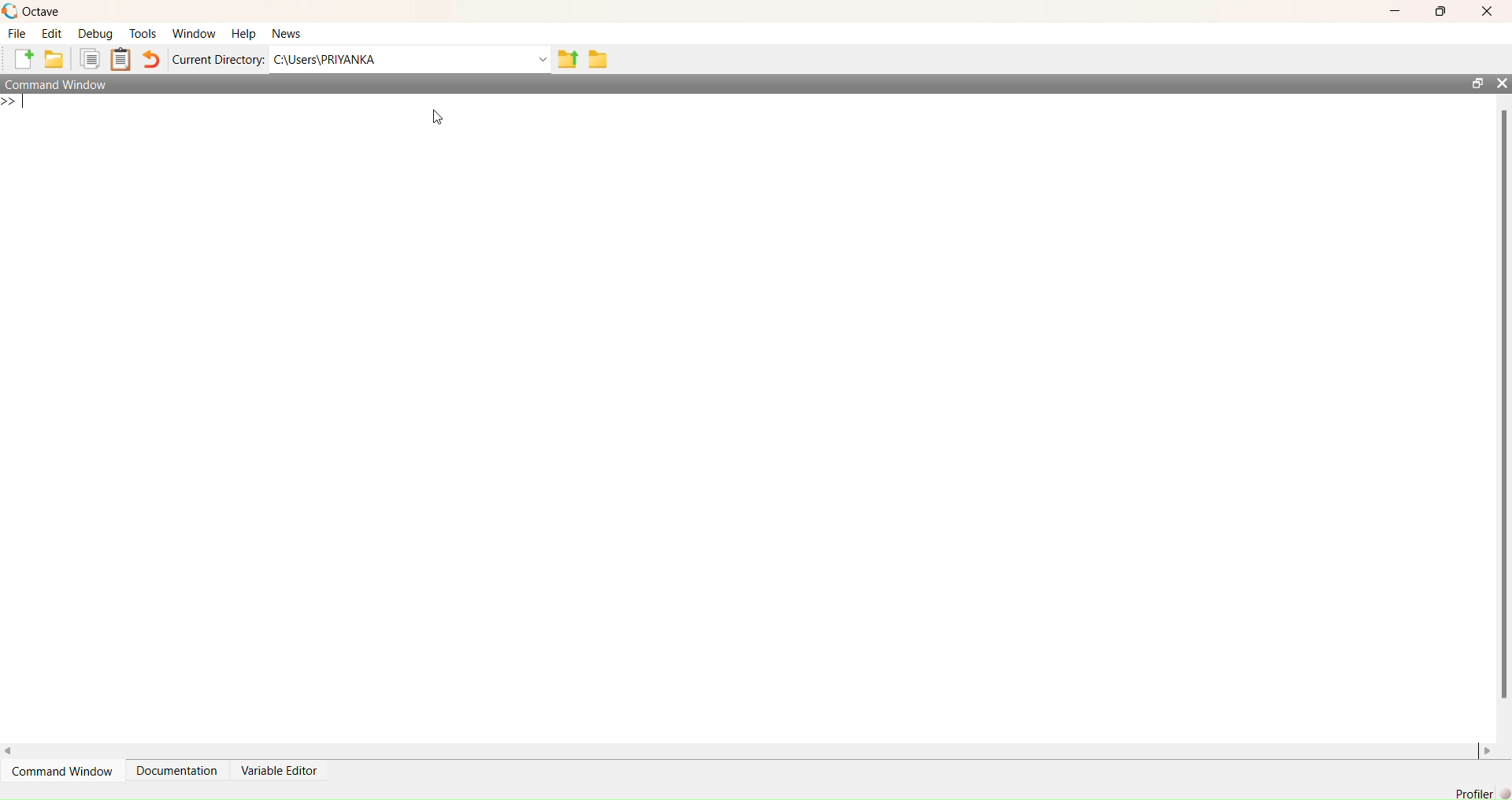  I want to click on scrollbar, so click(1505, 405).